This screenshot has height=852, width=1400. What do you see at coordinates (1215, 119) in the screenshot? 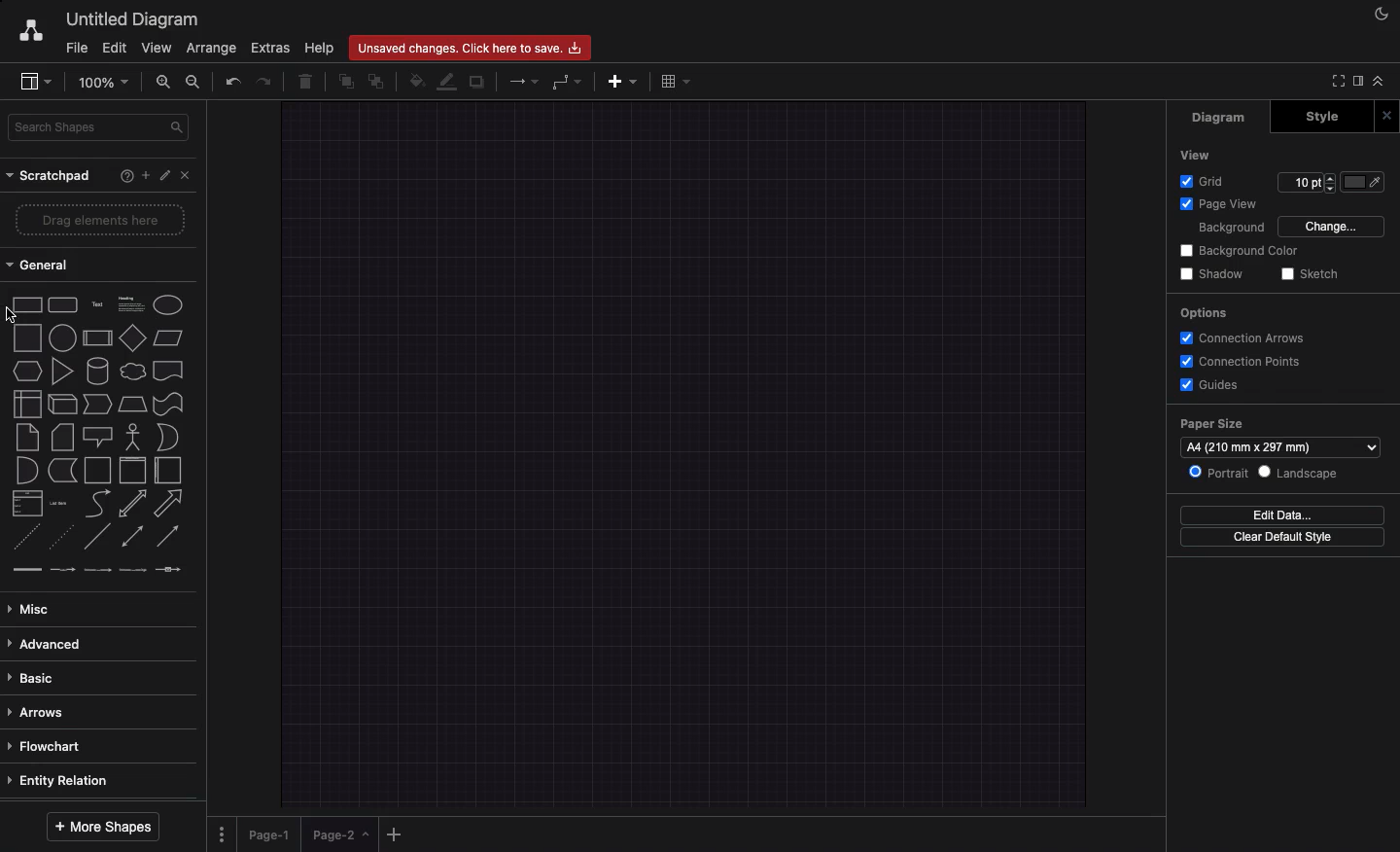
I see `Diagram` at bounding box center [1215, 119].